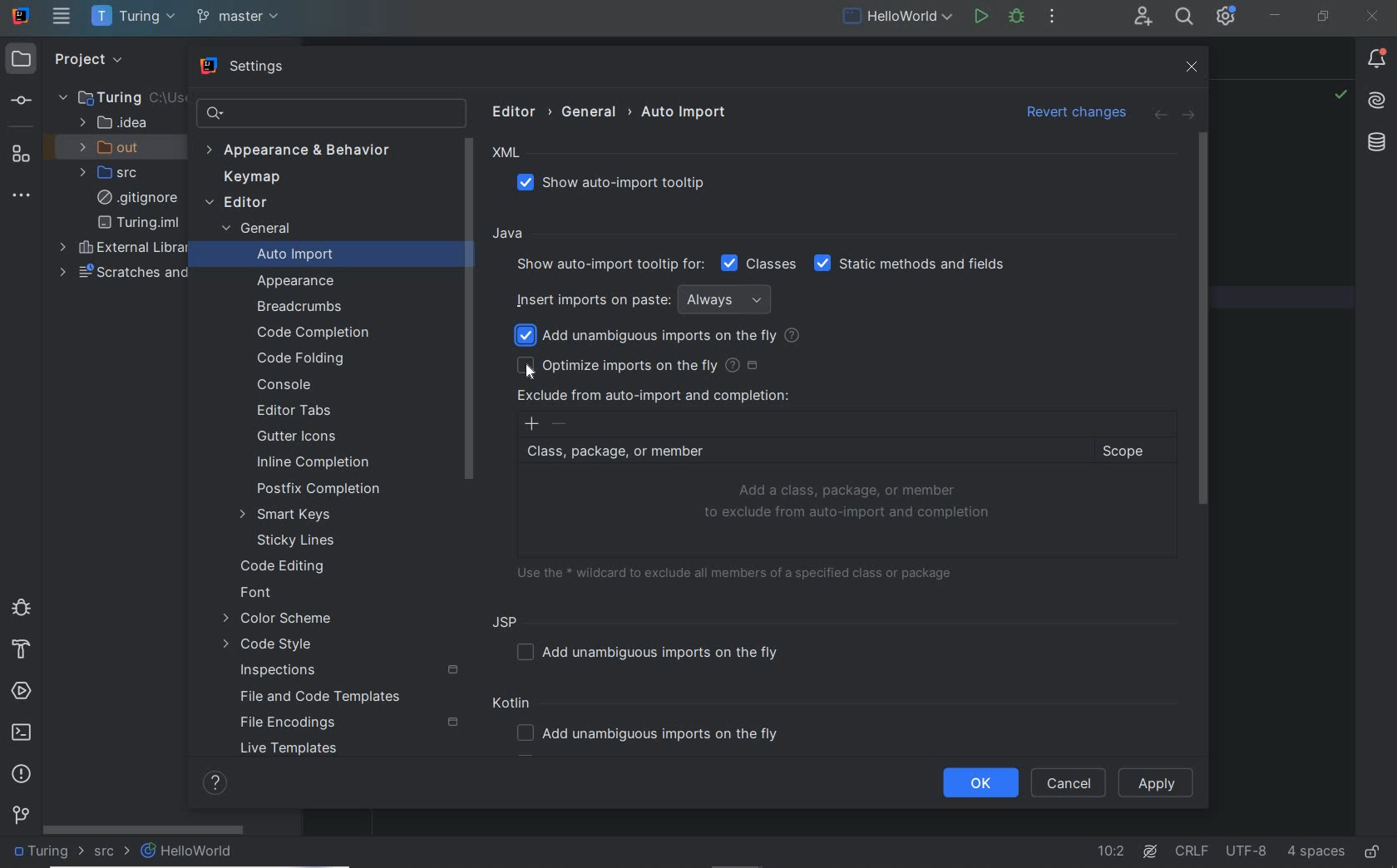 The height and width of the screenshot is (868, 1397). Describe the element at coordinates (1158, 783) in the screenshot. I see `APPLY` at that location.